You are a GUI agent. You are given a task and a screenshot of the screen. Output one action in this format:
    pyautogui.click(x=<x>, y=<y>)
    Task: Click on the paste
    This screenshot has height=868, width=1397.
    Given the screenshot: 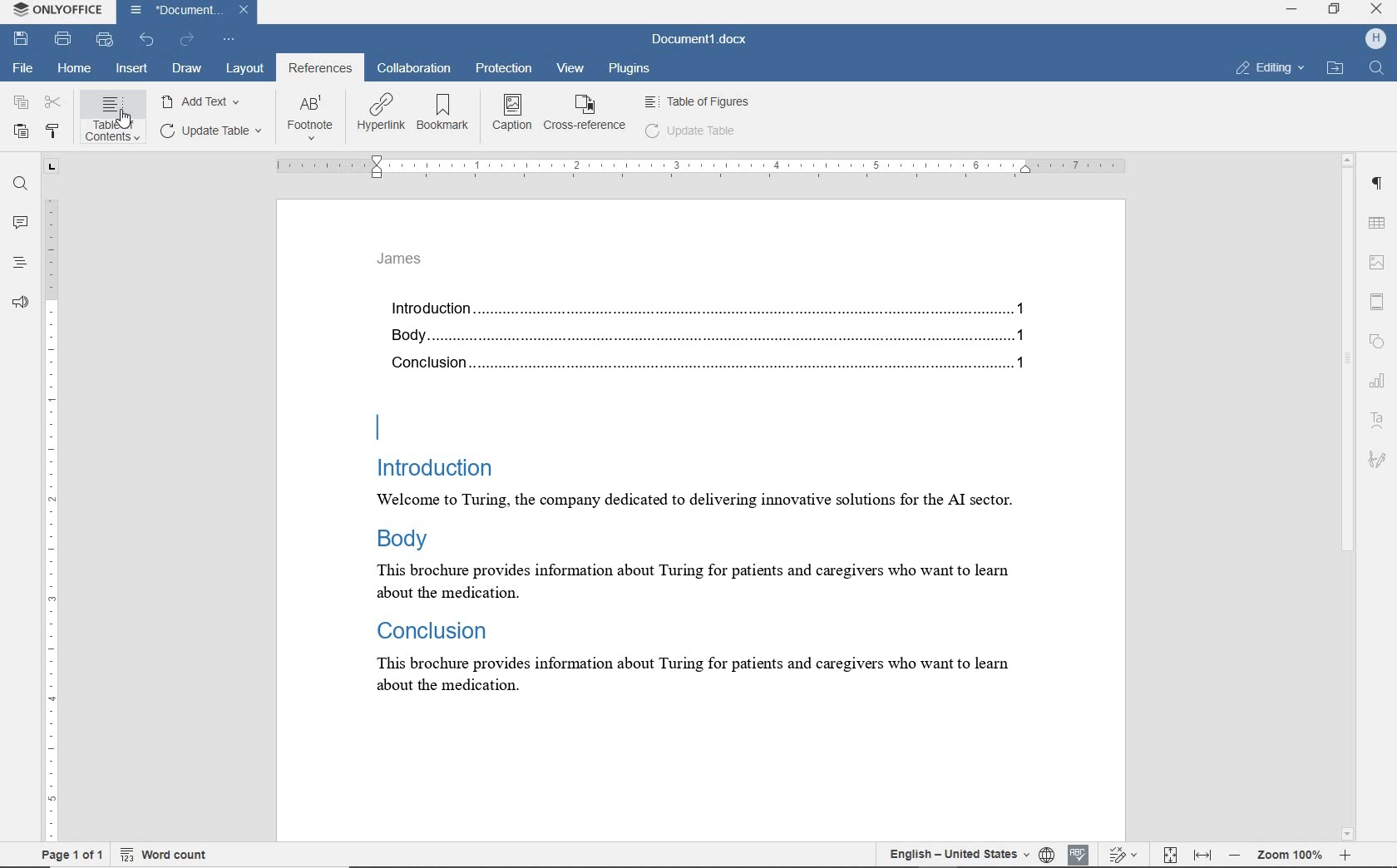 What is the action you would take?
    pyautogui.click(x=21, y=132)
    